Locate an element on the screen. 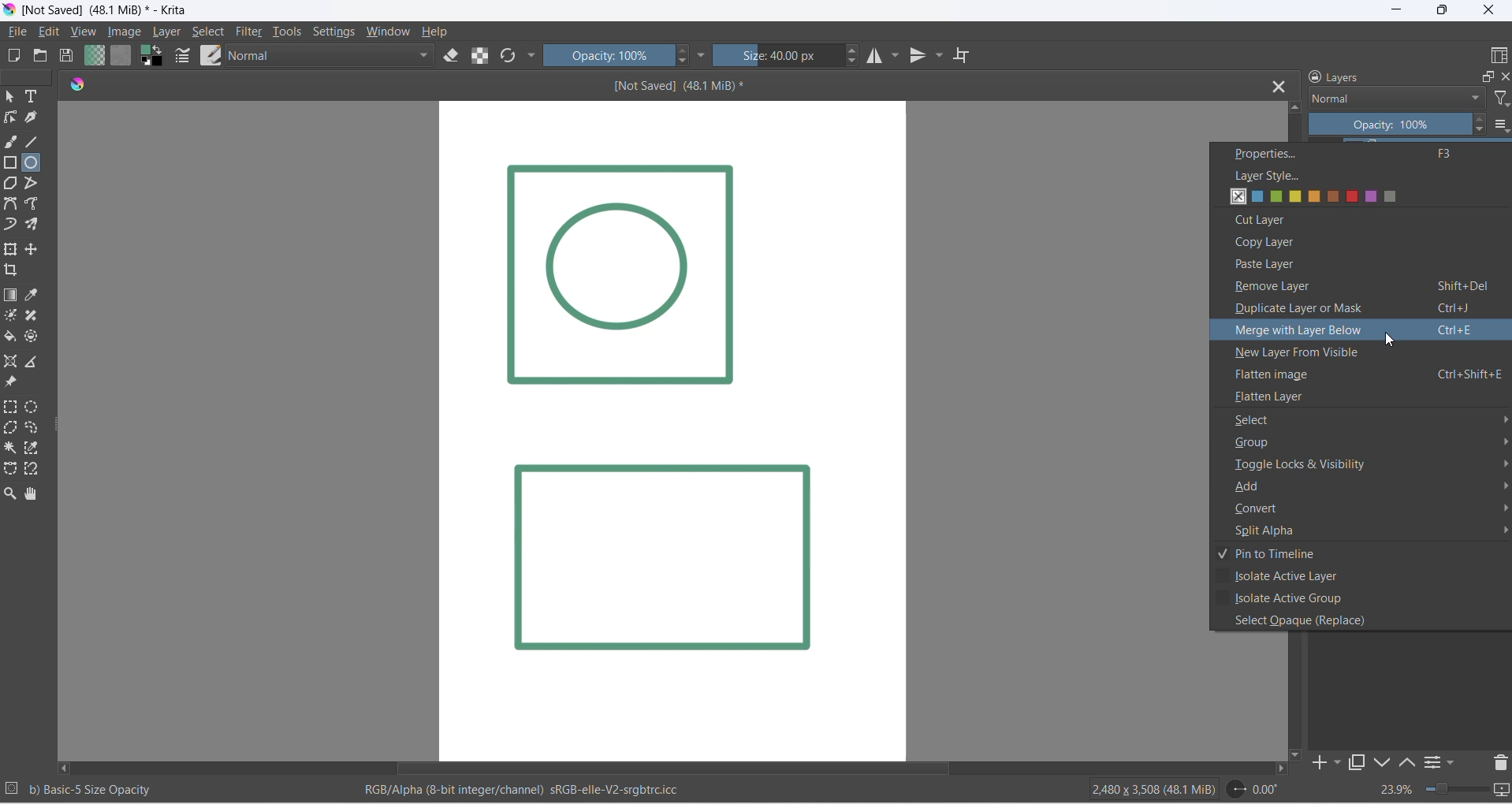 The width and height of the screenshot is (1512, 804). select is located at coordinates (1361, 419).